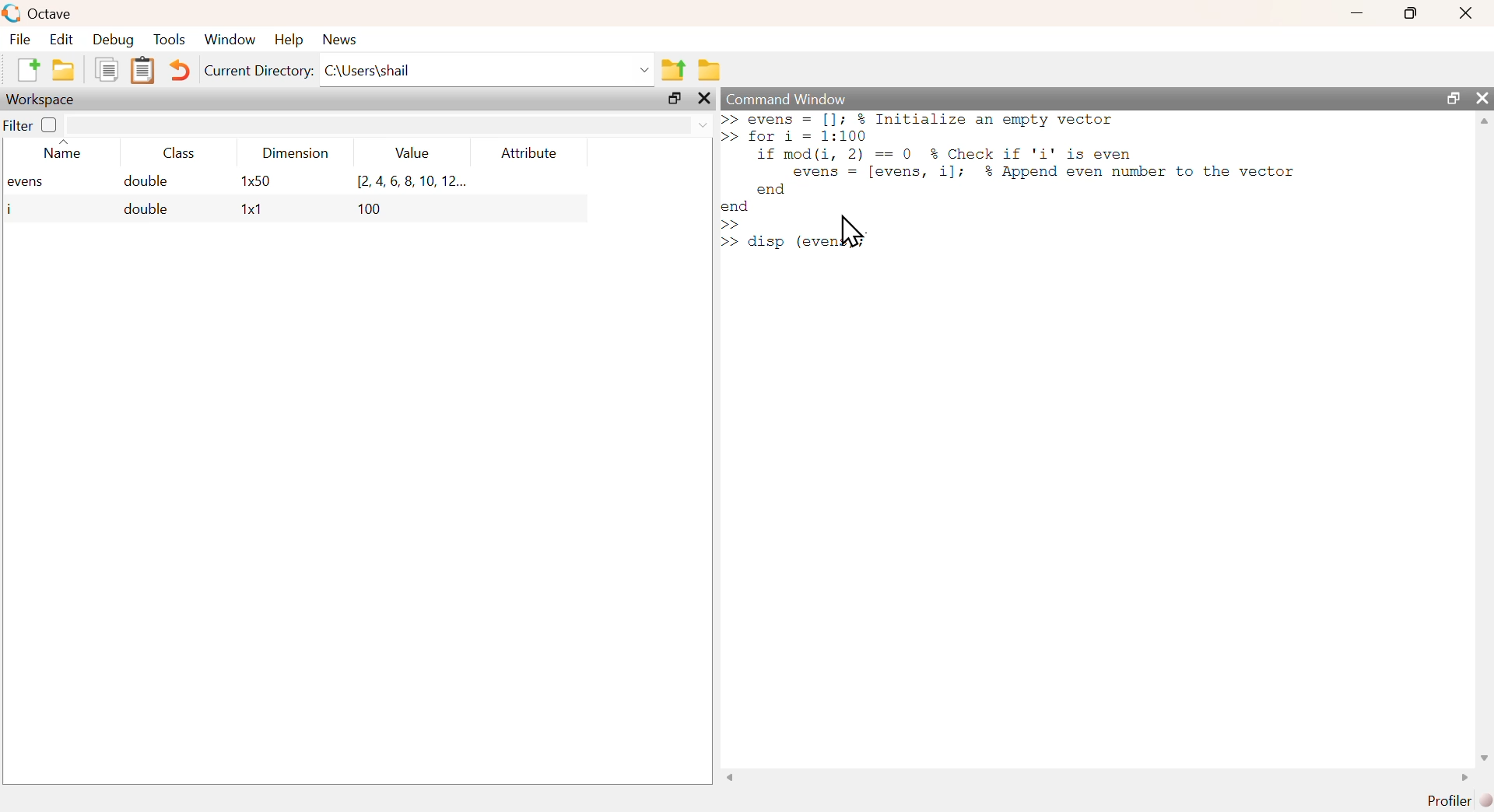  Describe the element at coordinates (1468, 12) in the screenshot. I see `close` at that location.